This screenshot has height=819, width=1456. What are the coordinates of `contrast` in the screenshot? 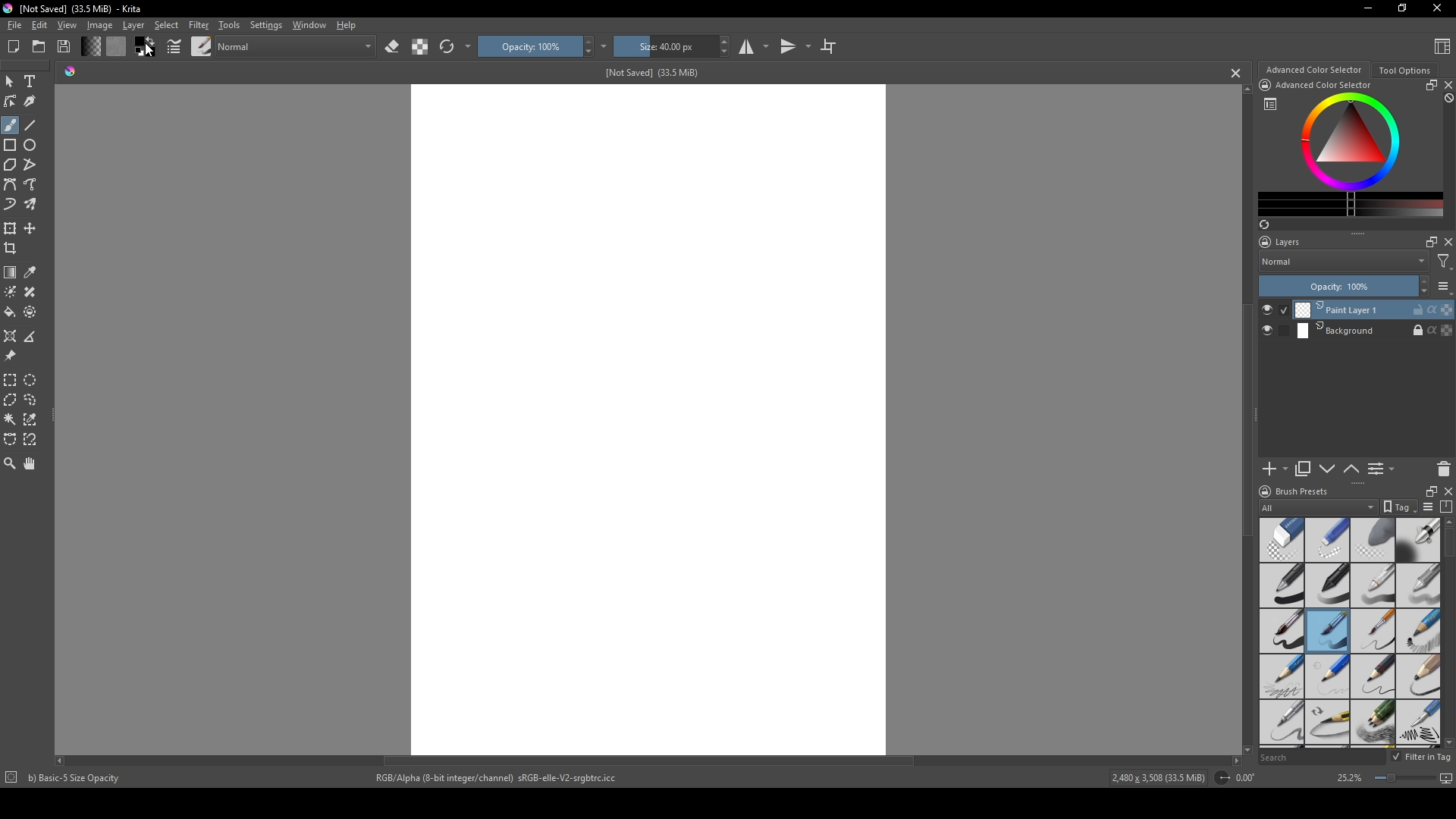 It's located at (419, 46).